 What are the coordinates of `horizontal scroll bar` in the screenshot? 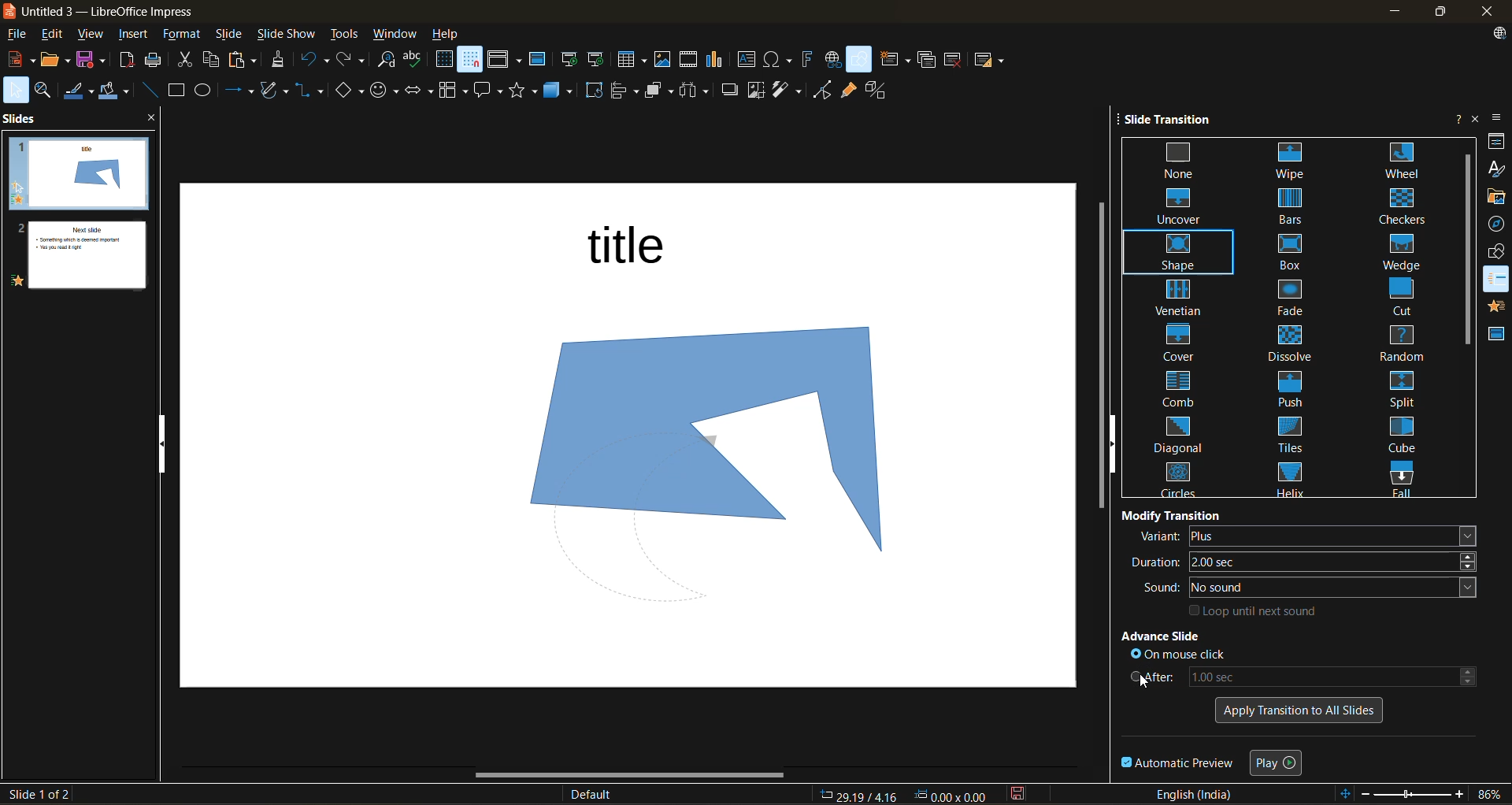 It's located at (619, 777).